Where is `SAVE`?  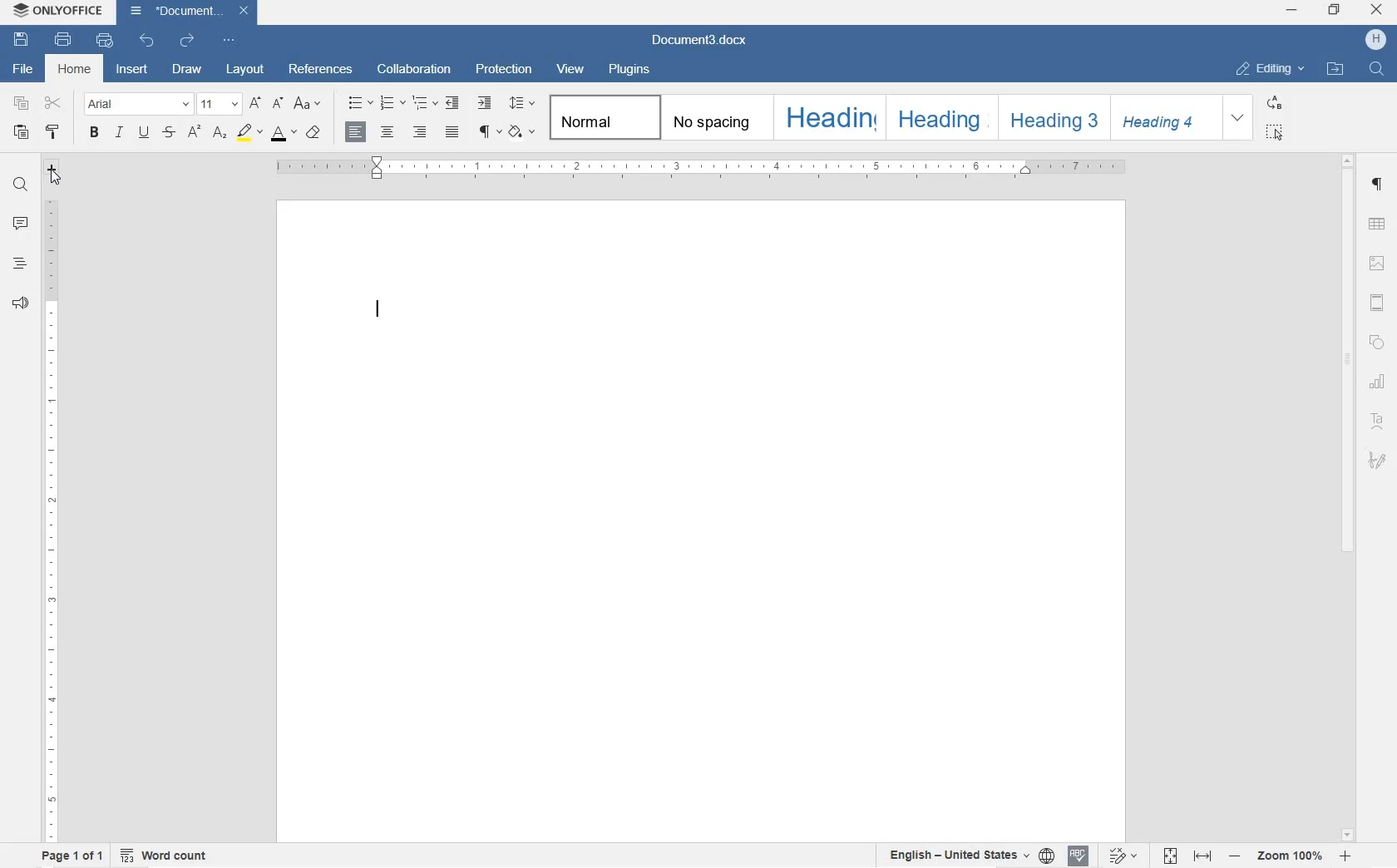
SAVE is located at coordinates (19, 40).